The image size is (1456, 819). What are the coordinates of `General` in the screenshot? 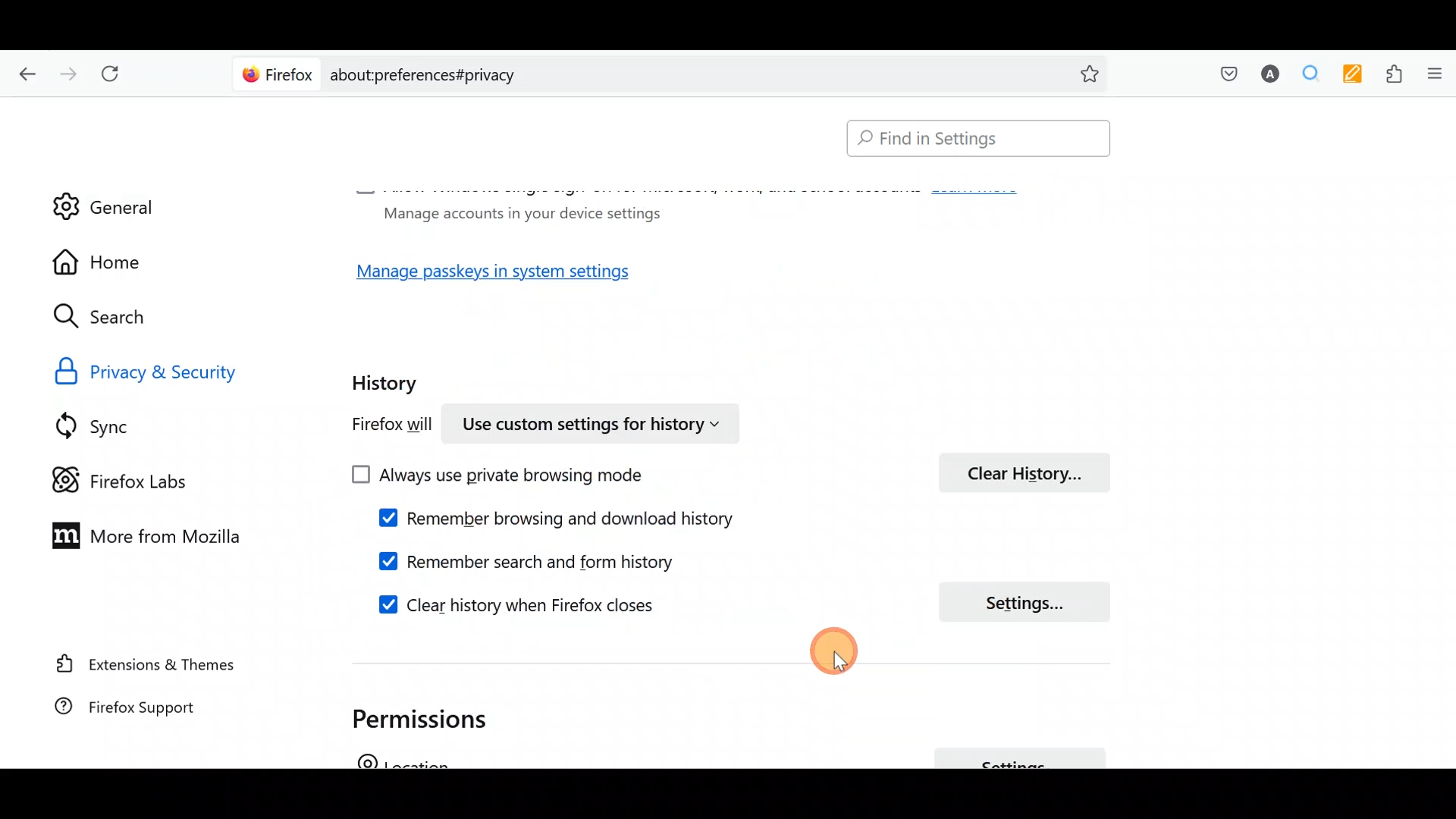 It's located at (104, 196).